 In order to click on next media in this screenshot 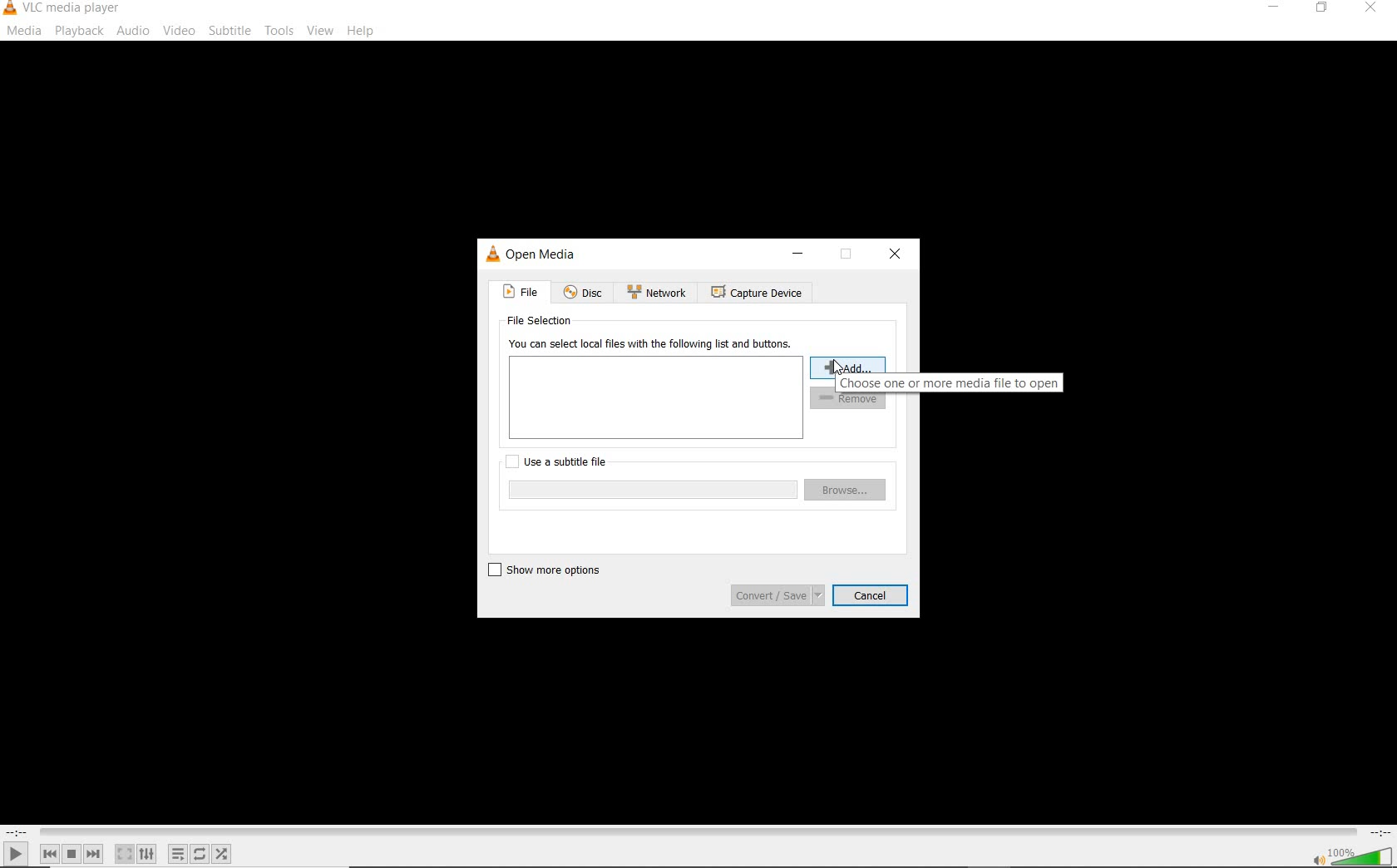, I will do `click(95, 854)`.